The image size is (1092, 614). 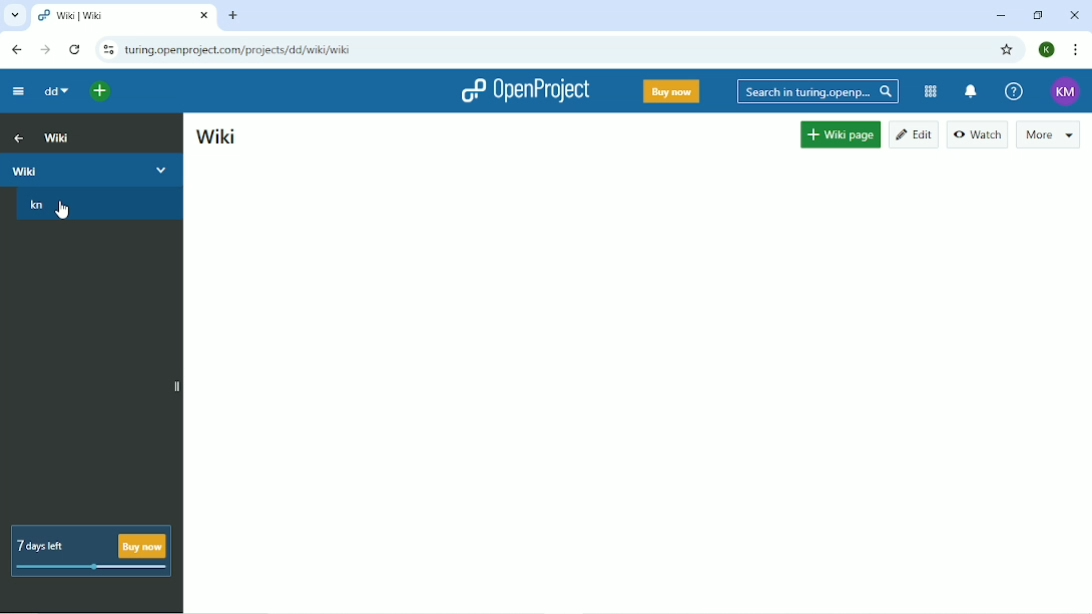 I want to click on Wiki, so click(x=220, y=137).